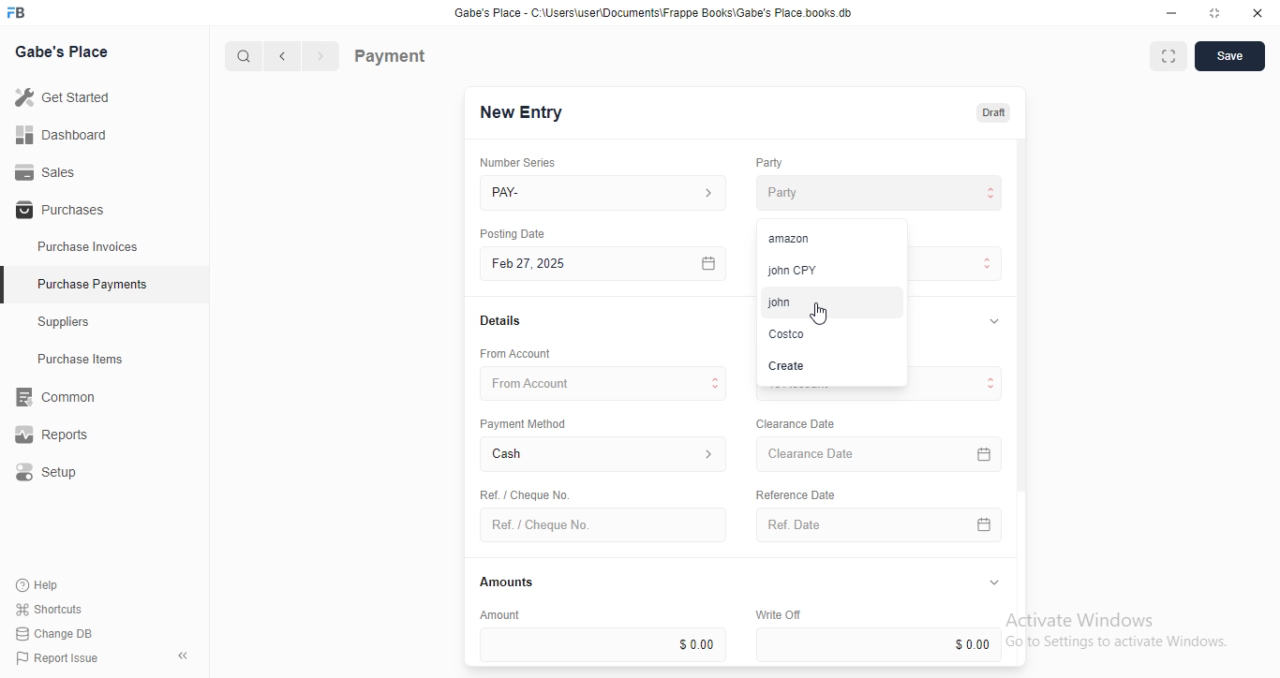 The image size is (1280, 678). I want to click on Rit
Common, so click(55, 398).